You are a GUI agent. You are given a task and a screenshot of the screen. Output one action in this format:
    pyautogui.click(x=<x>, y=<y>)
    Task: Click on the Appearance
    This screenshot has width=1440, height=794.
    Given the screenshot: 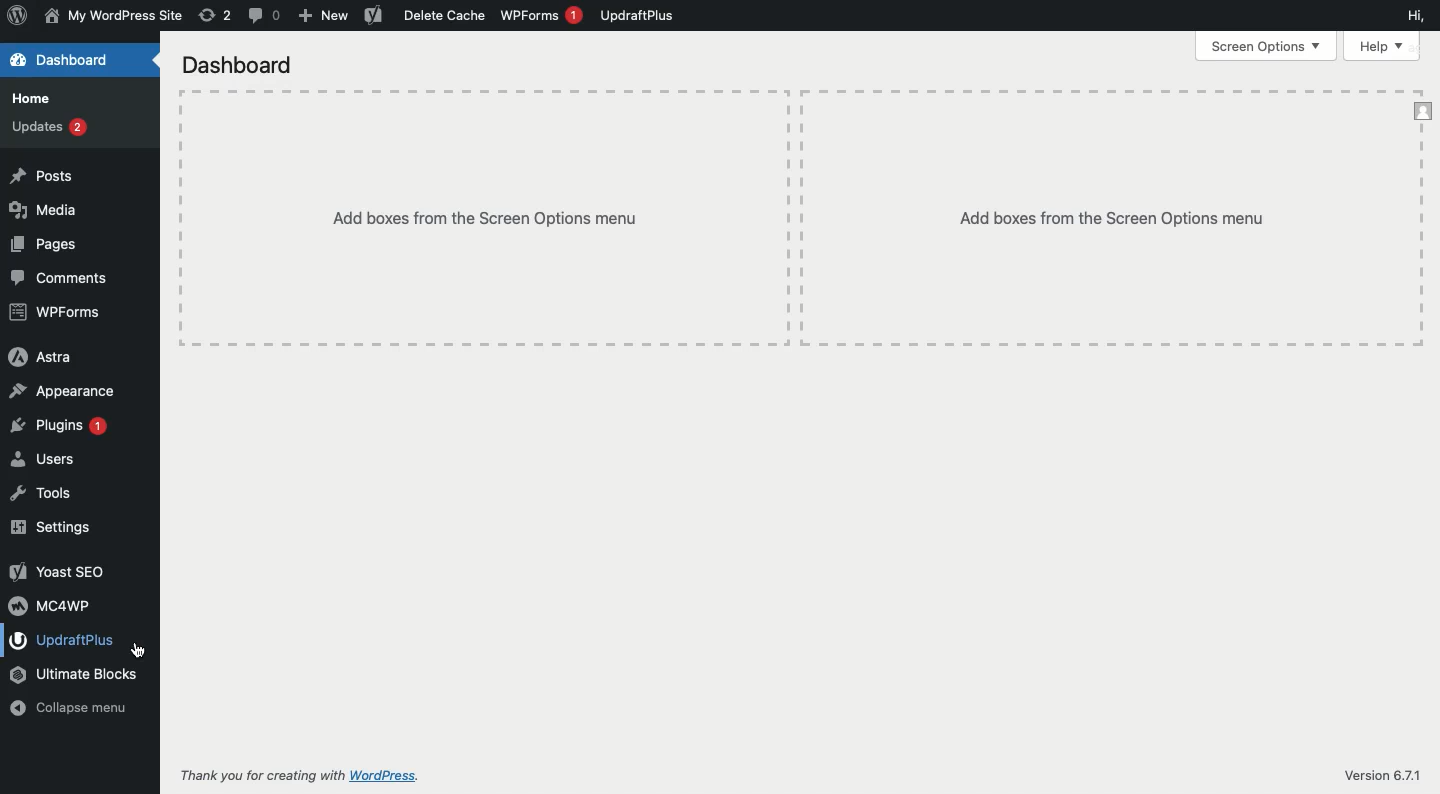 What is the action you would take?
    pyautogui.click(x=63, y=391)
    